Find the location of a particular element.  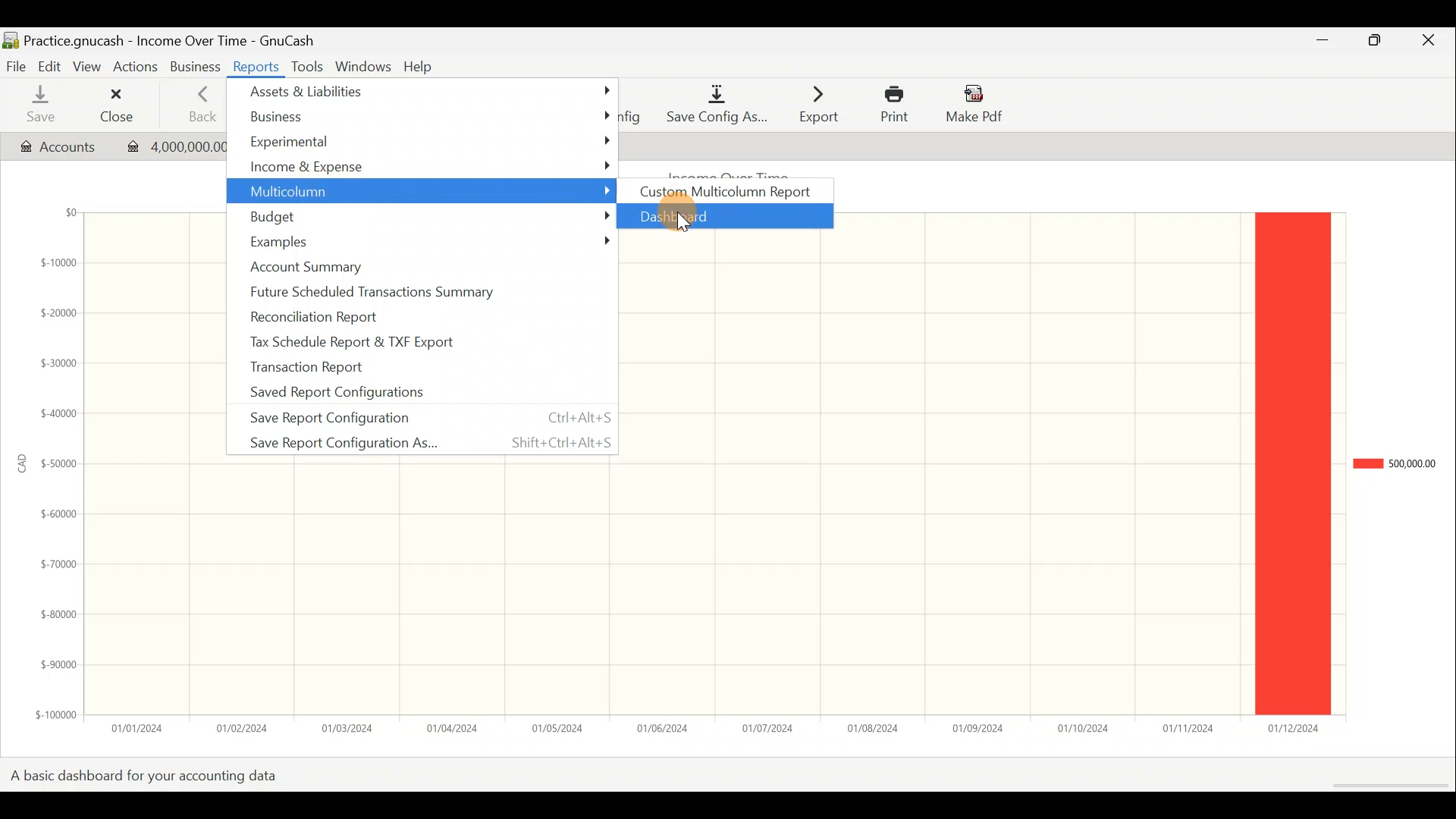

Export is located at coordinates (811, 104).